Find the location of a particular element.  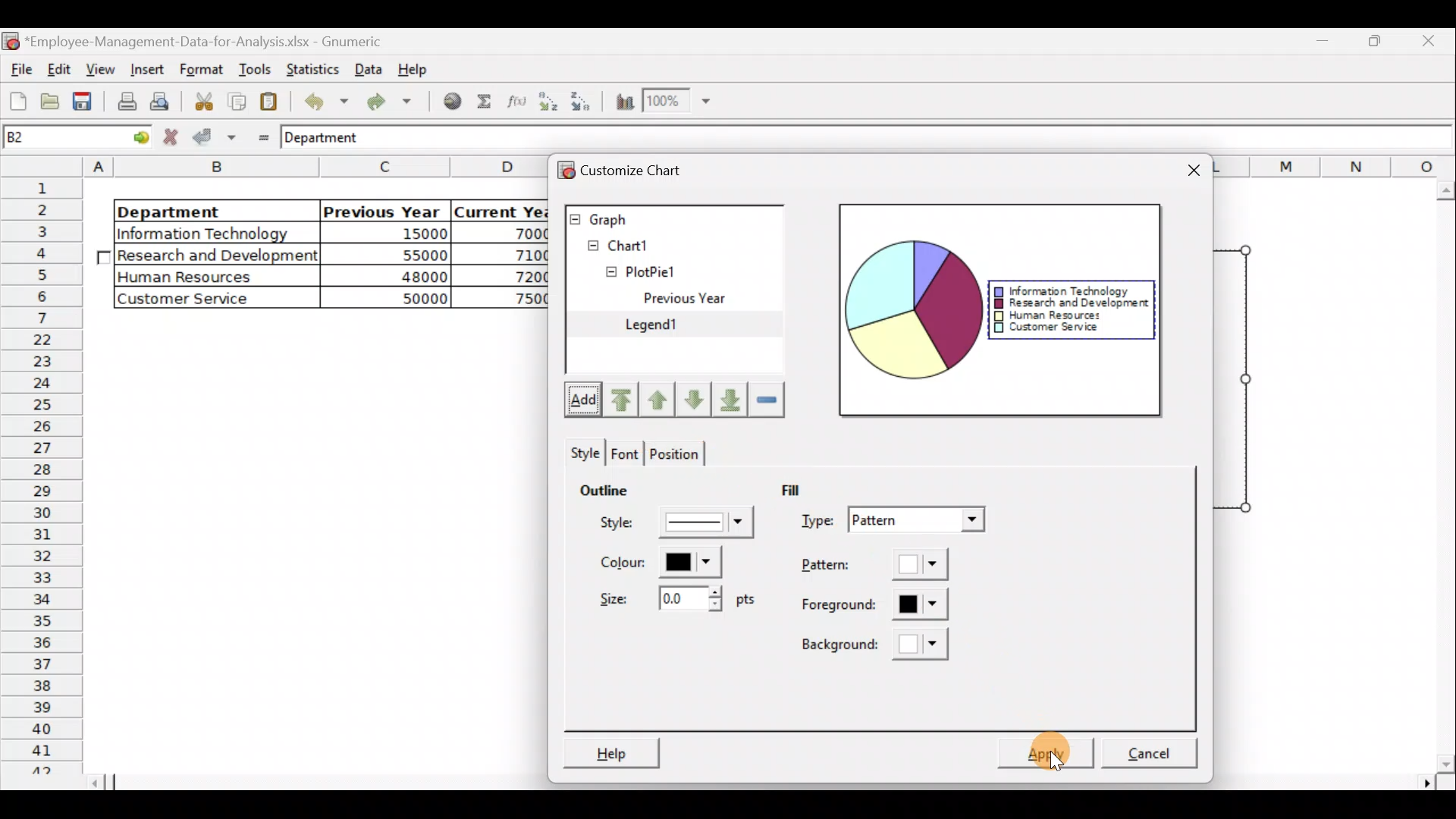

Color is located at coordinates (670, 565).